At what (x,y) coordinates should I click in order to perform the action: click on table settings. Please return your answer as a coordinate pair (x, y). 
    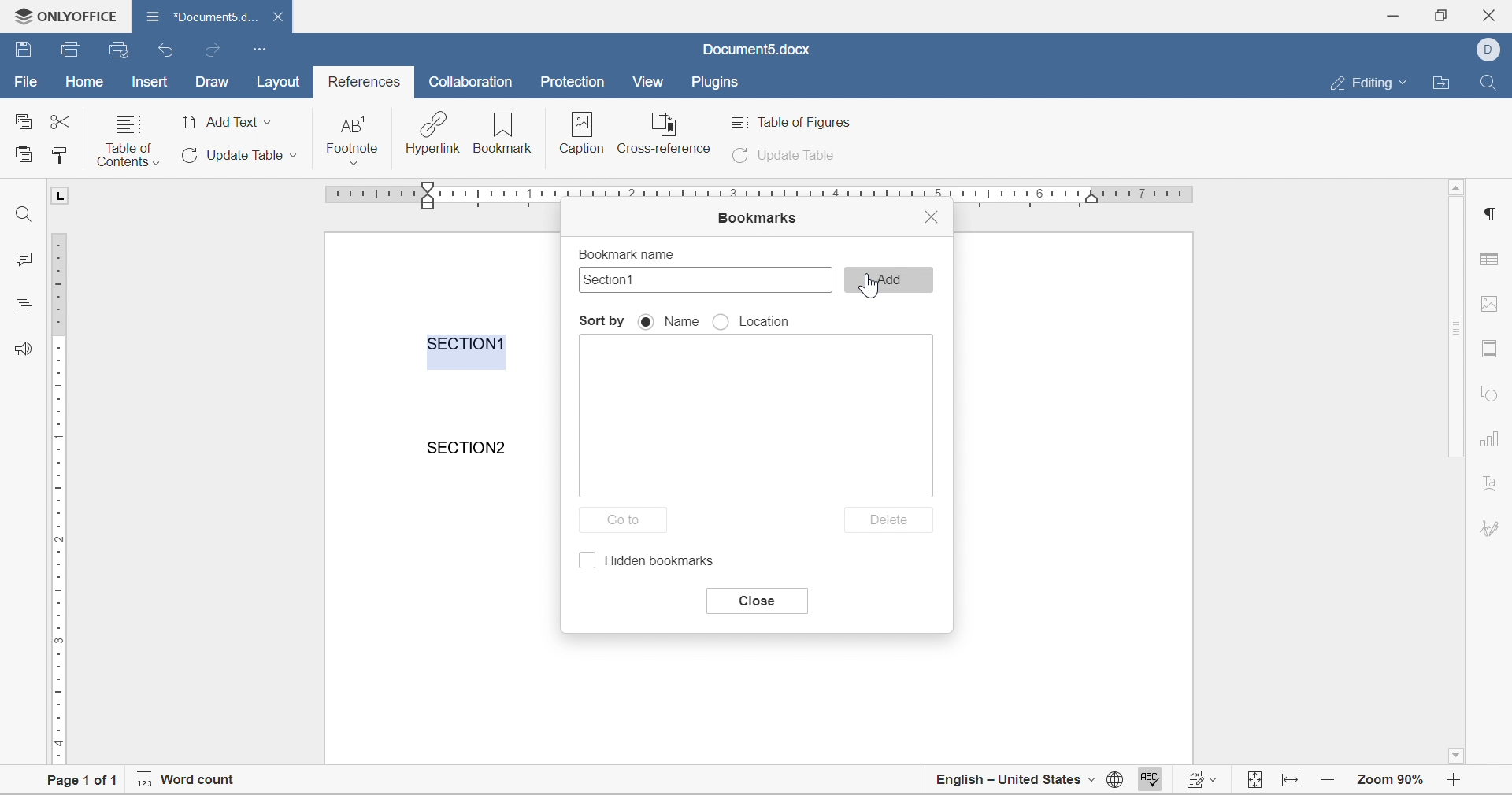
    Looking at the image, I should click on (1492, 261).